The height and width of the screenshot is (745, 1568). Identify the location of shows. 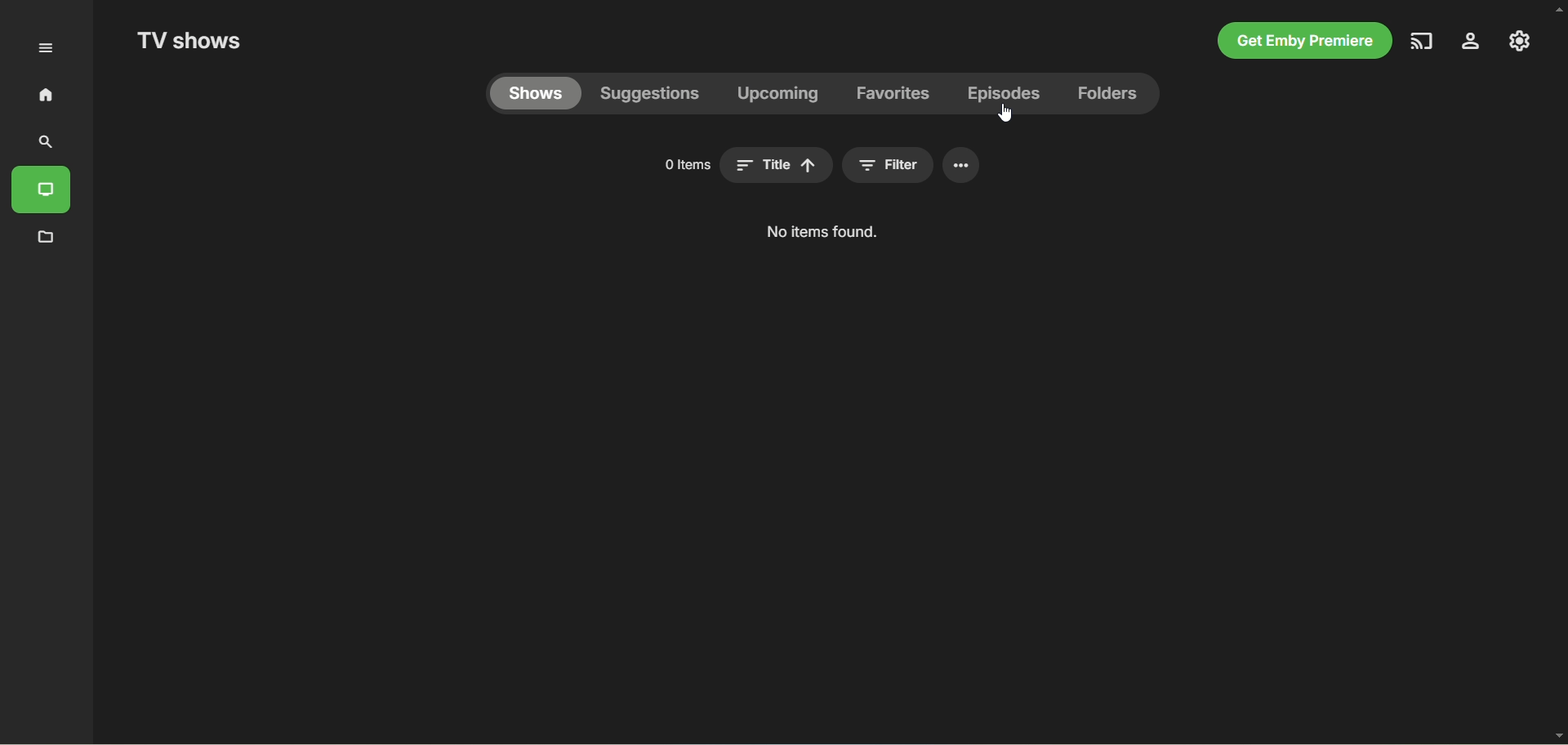
(536, 94).